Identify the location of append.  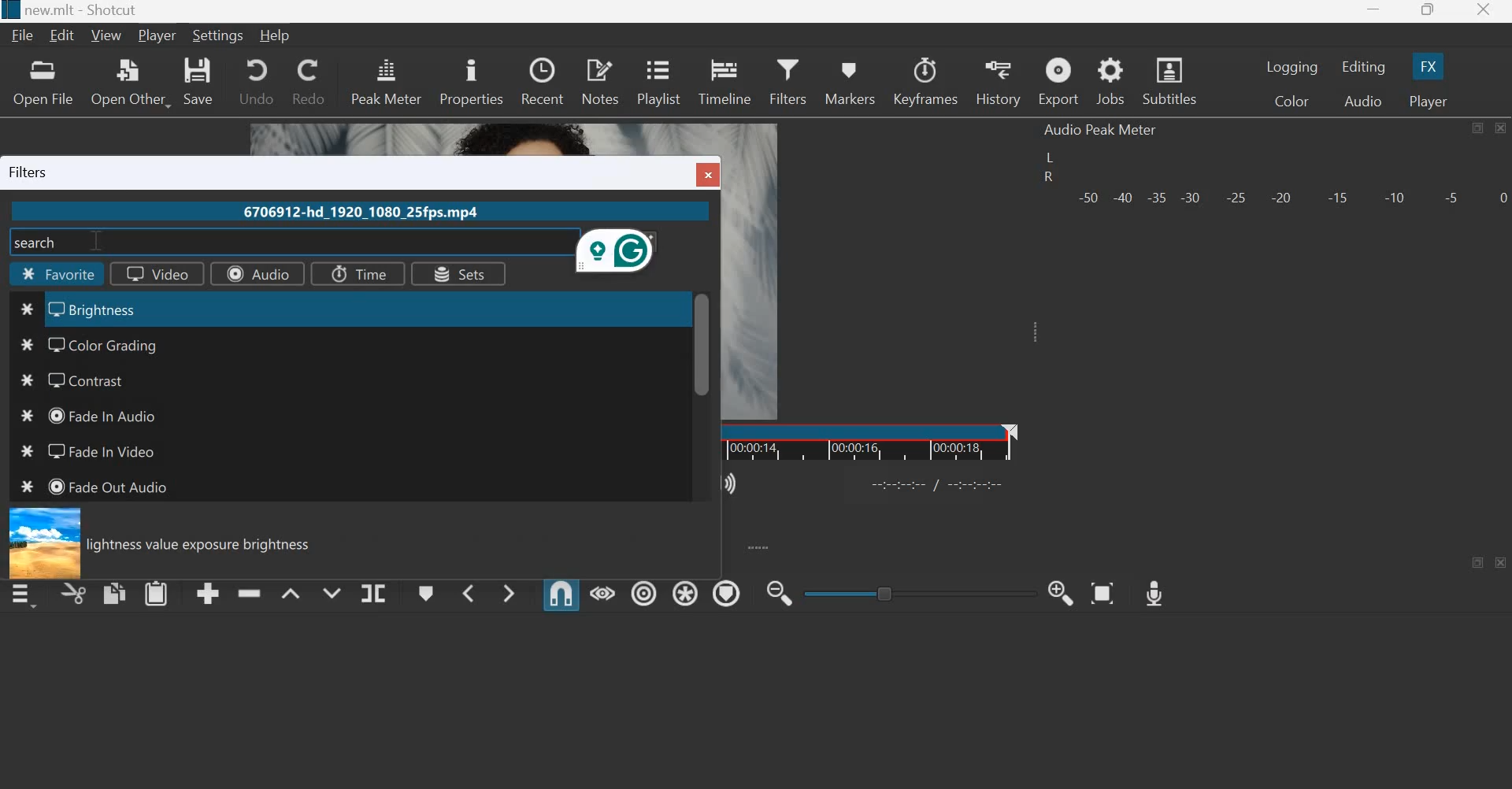
(209, 593).